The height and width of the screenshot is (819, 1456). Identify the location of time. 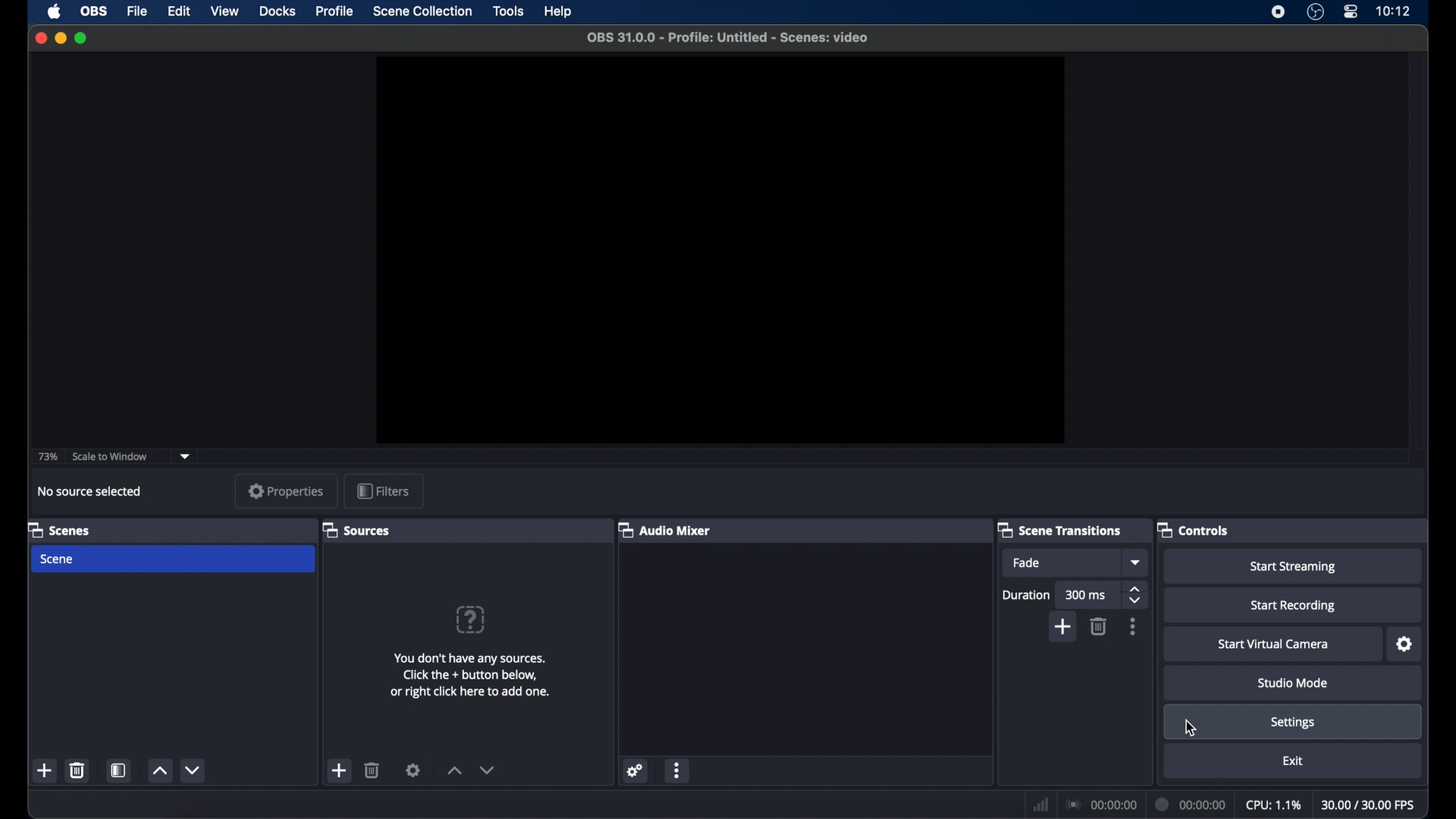
(1393, 11).